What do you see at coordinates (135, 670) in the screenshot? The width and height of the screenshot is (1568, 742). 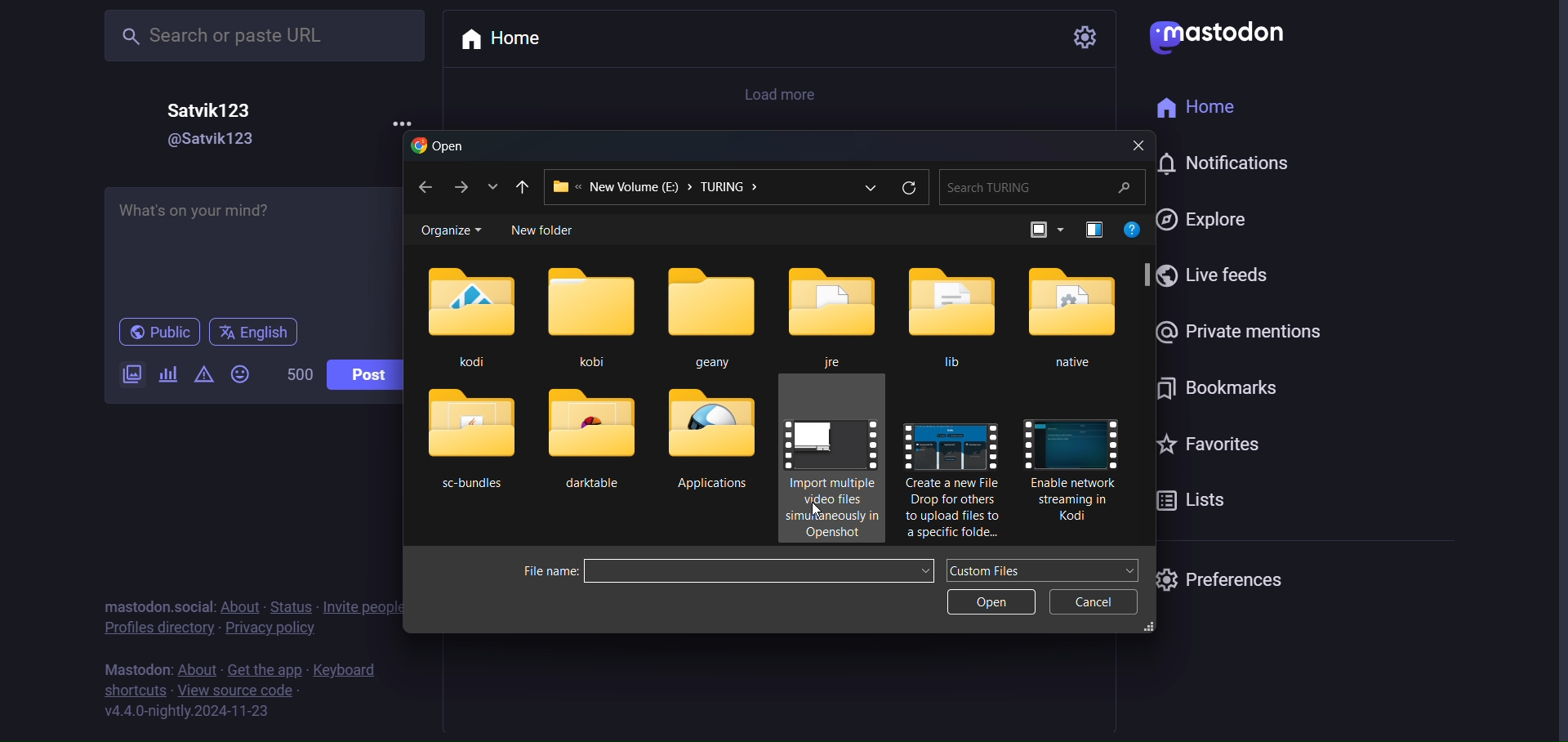 I see `mastodon` at bounding box center [135, 670].